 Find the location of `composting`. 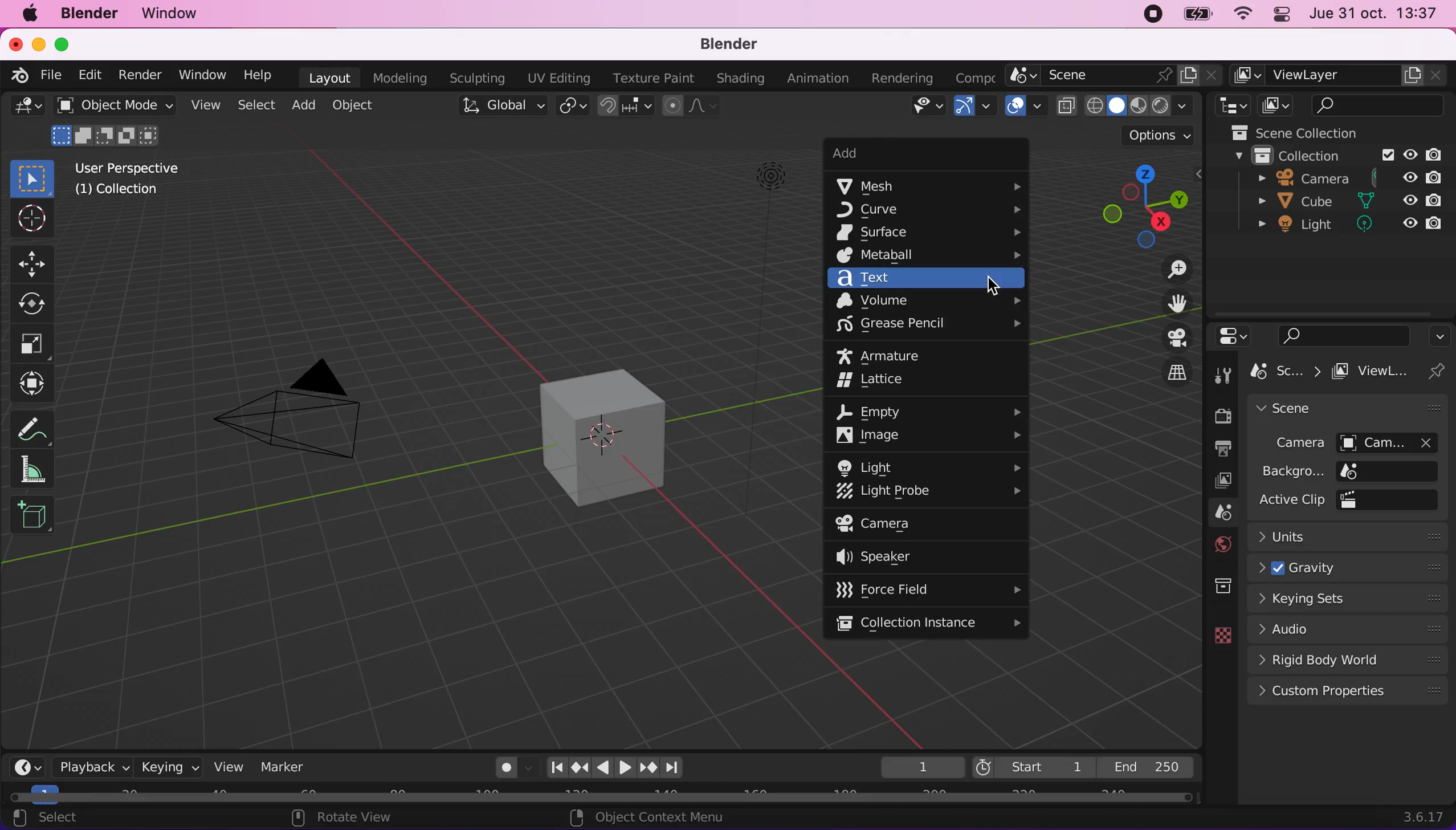

composting is located at coordinates (977, 76).